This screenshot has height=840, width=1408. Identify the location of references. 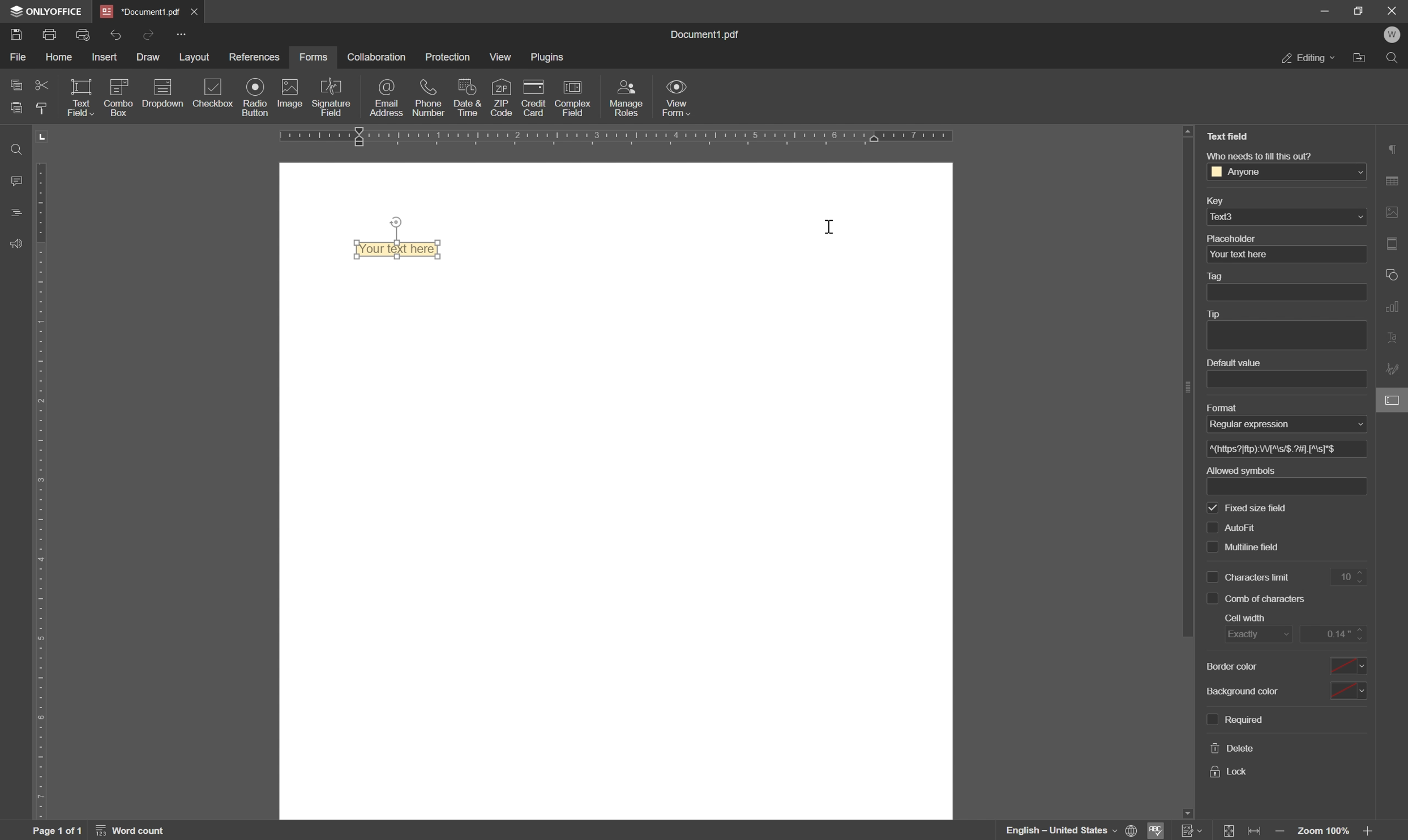
(255, 57).